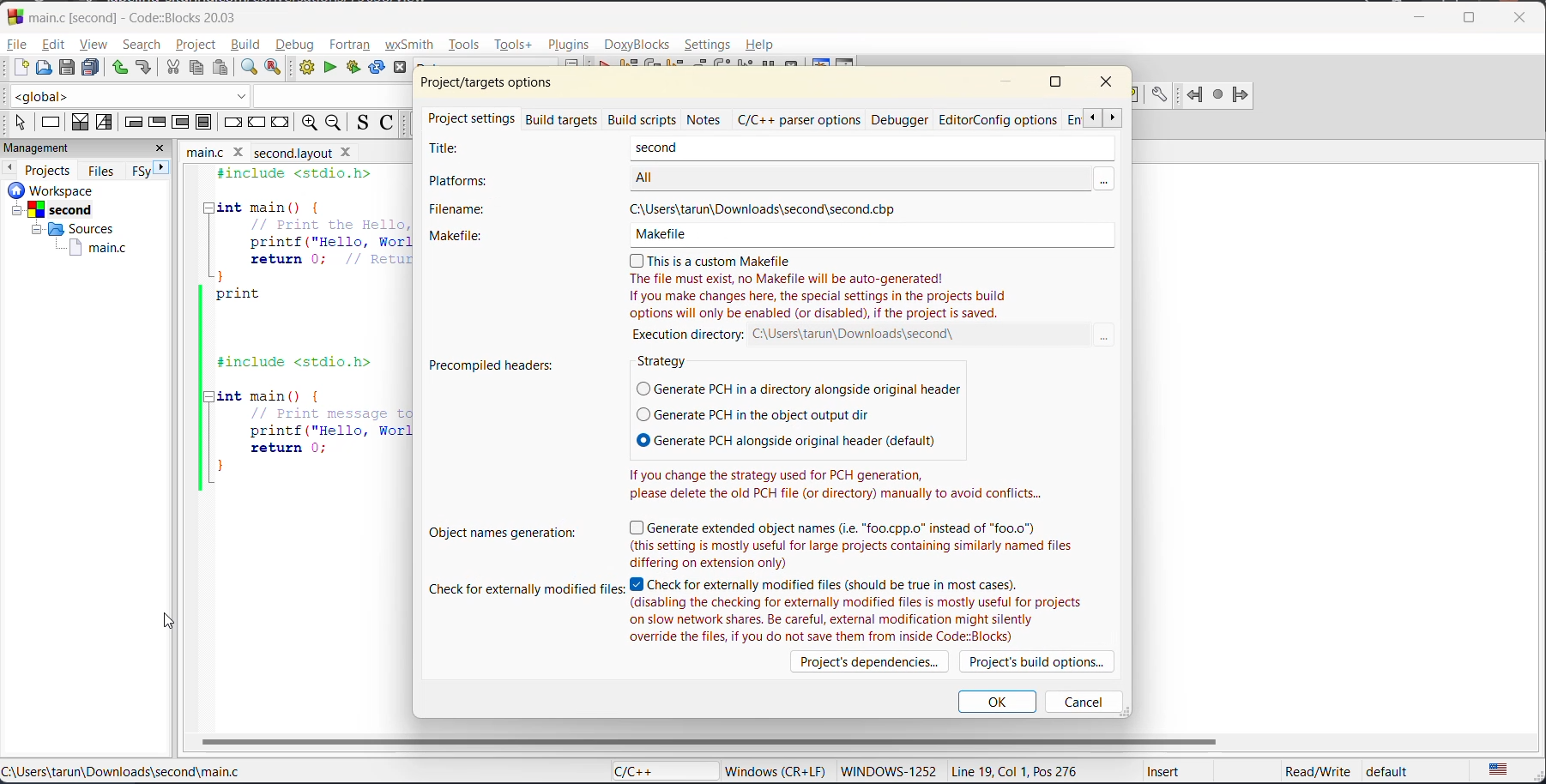  I want to click on close, so click(1111, 81).